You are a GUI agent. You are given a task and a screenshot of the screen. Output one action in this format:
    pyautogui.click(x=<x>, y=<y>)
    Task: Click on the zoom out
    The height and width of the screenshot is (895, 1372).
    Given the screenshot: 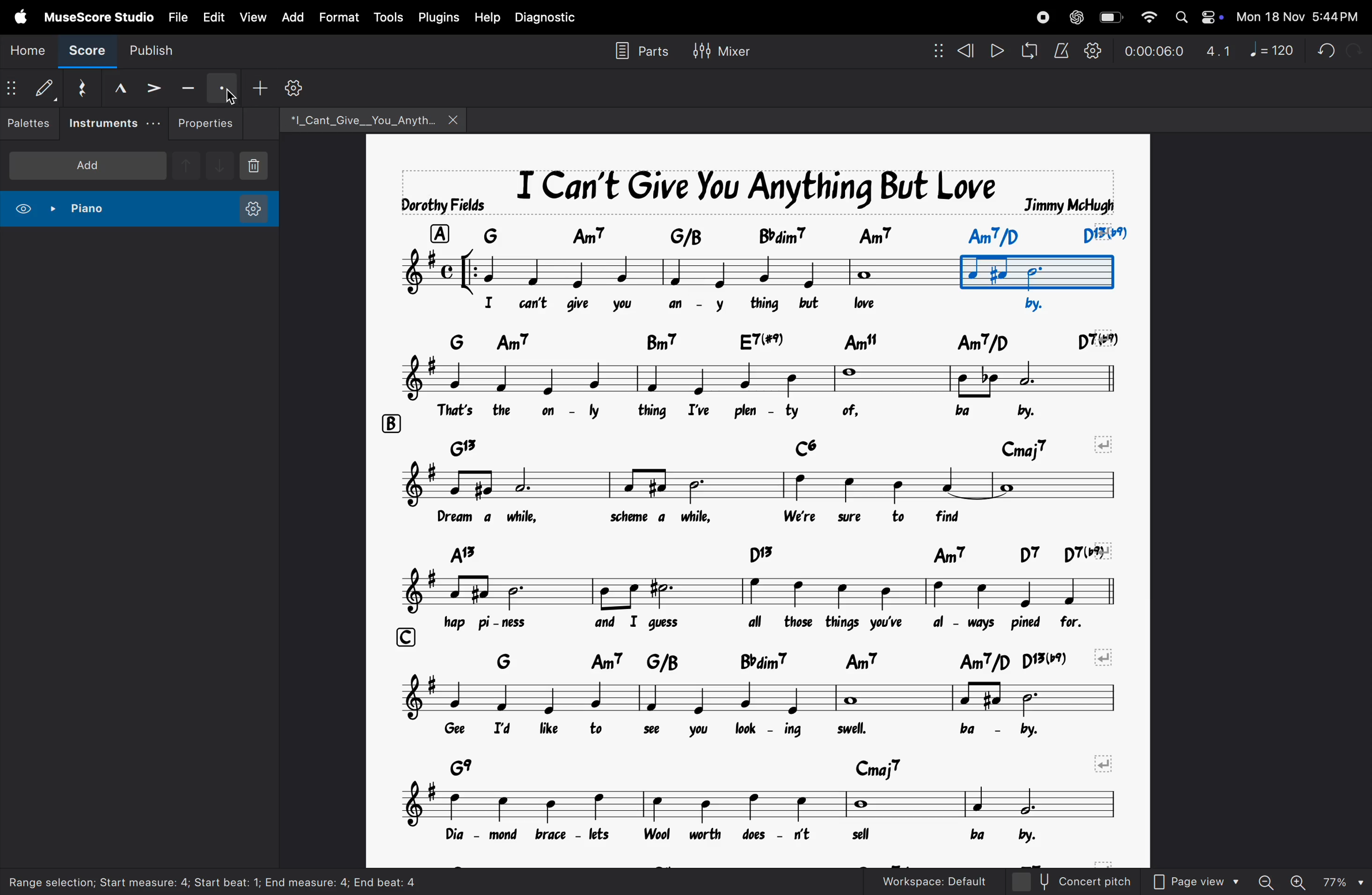 What is the action you would take?
    pyautogui.click(x=1265, y=882)
    